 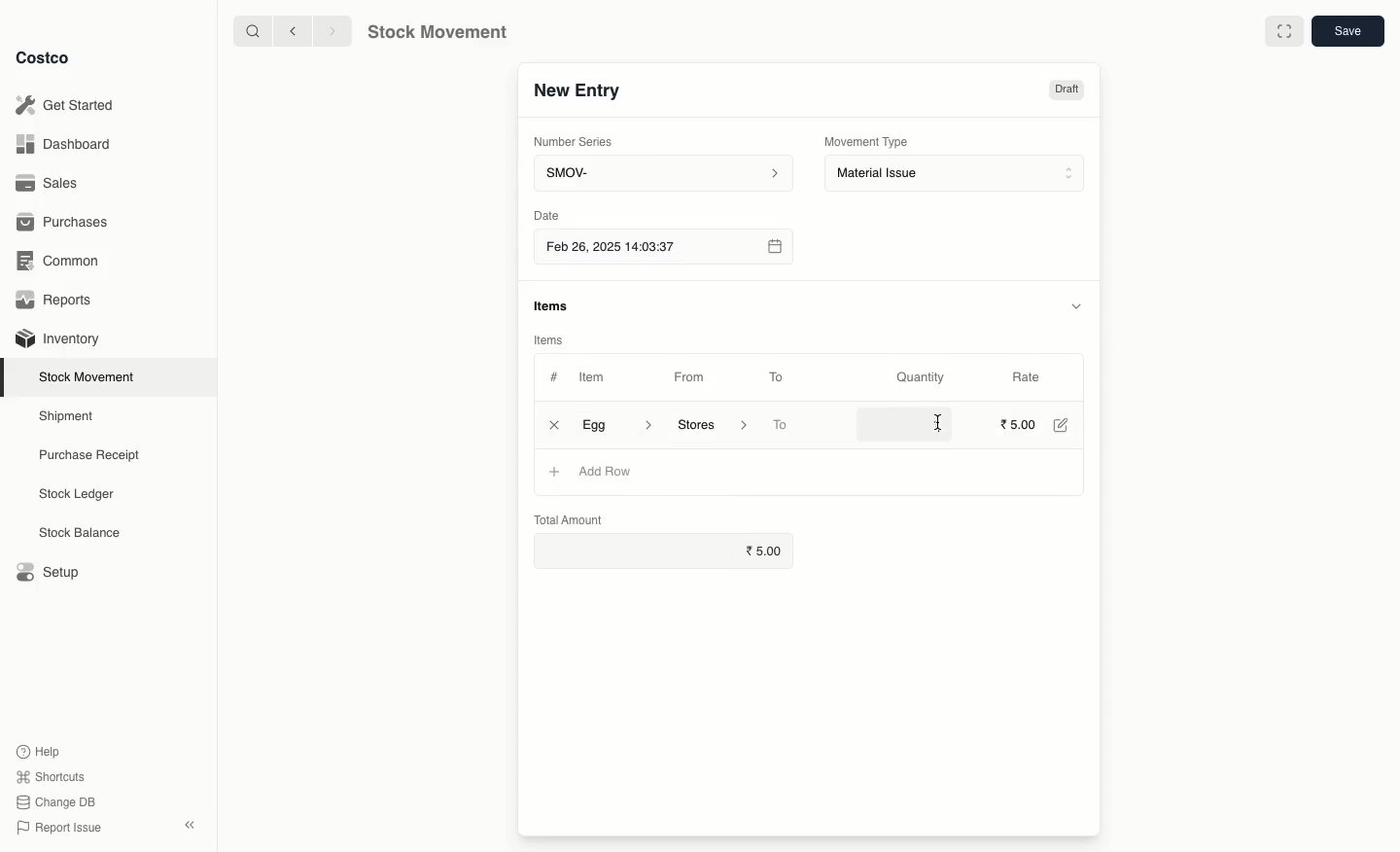 What do you see at coordinates (189, 824) in the screenshot?
I see `collapse` at bounding box center [189, 824].